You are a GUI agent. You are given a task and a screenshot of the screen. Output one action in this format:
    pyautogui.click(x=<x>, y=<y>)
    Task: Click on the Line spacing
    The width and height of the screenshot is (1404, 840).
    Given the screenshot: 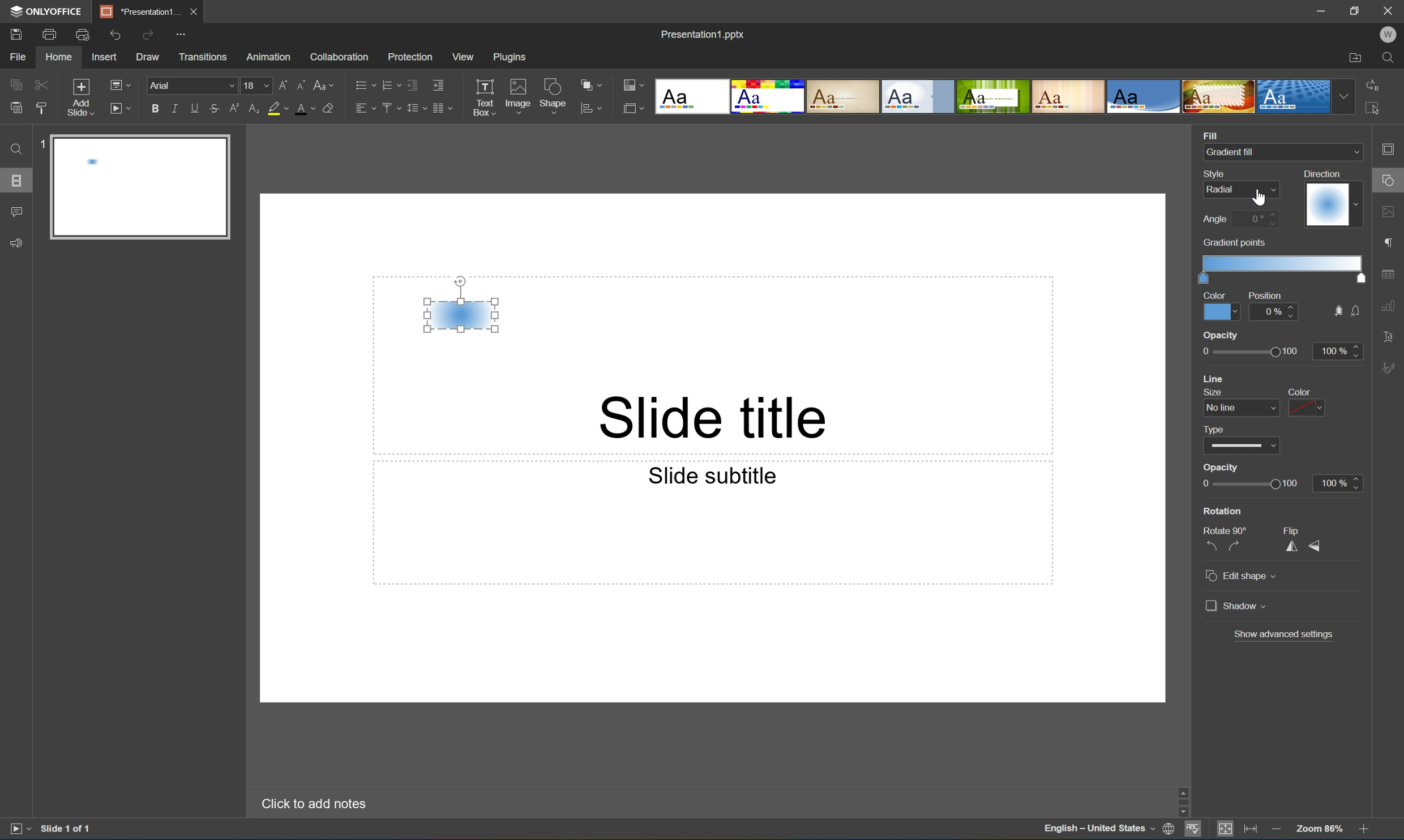 What is the action you would take?
    pyautogui.click(x=415, y=108)
    